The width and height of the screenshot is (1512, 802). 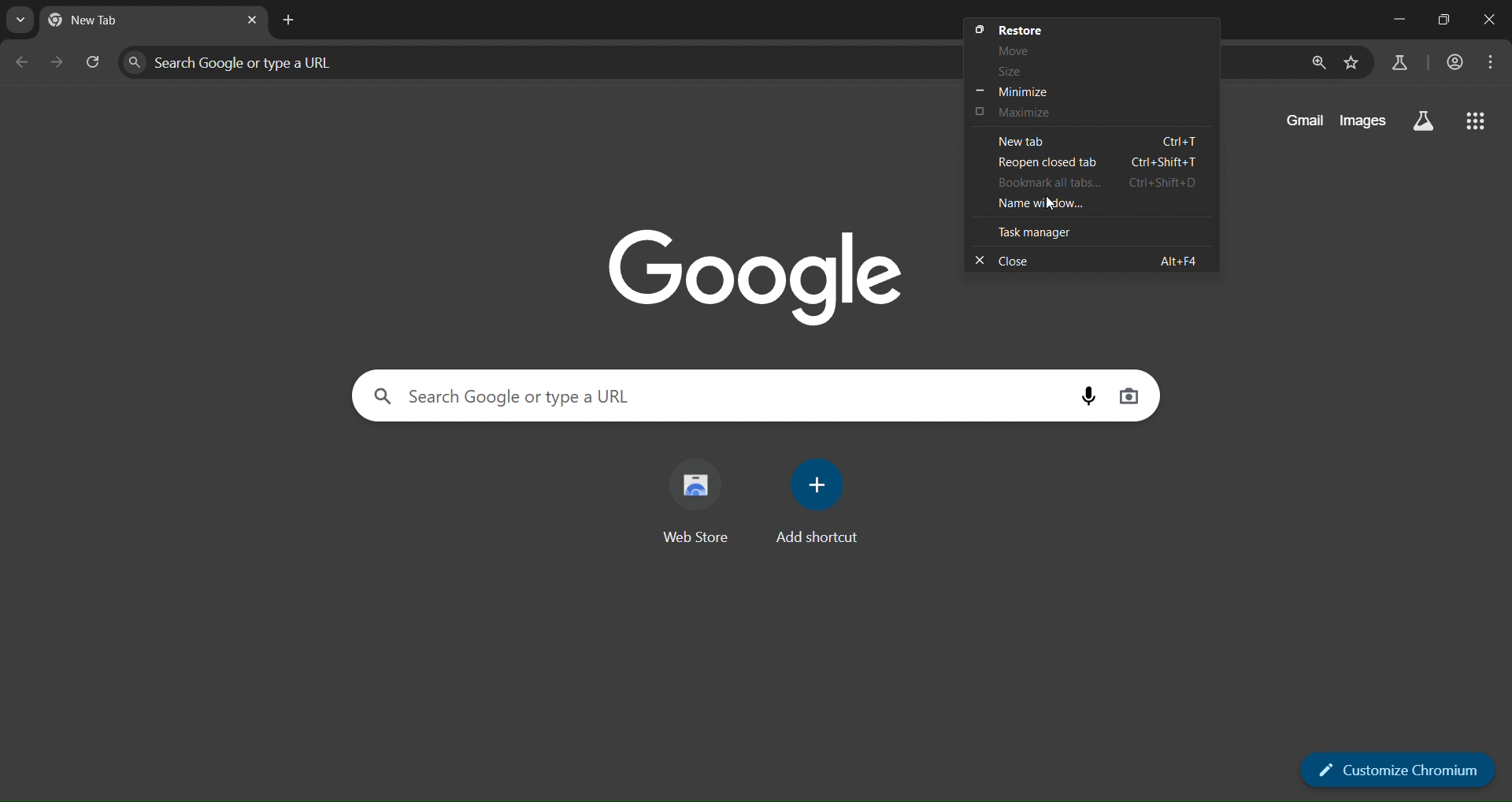 What do you see at coordinates (1091, 139) in the screenshot?
I see `new tab Ctrl+T` at bounding box center [1091, 139].